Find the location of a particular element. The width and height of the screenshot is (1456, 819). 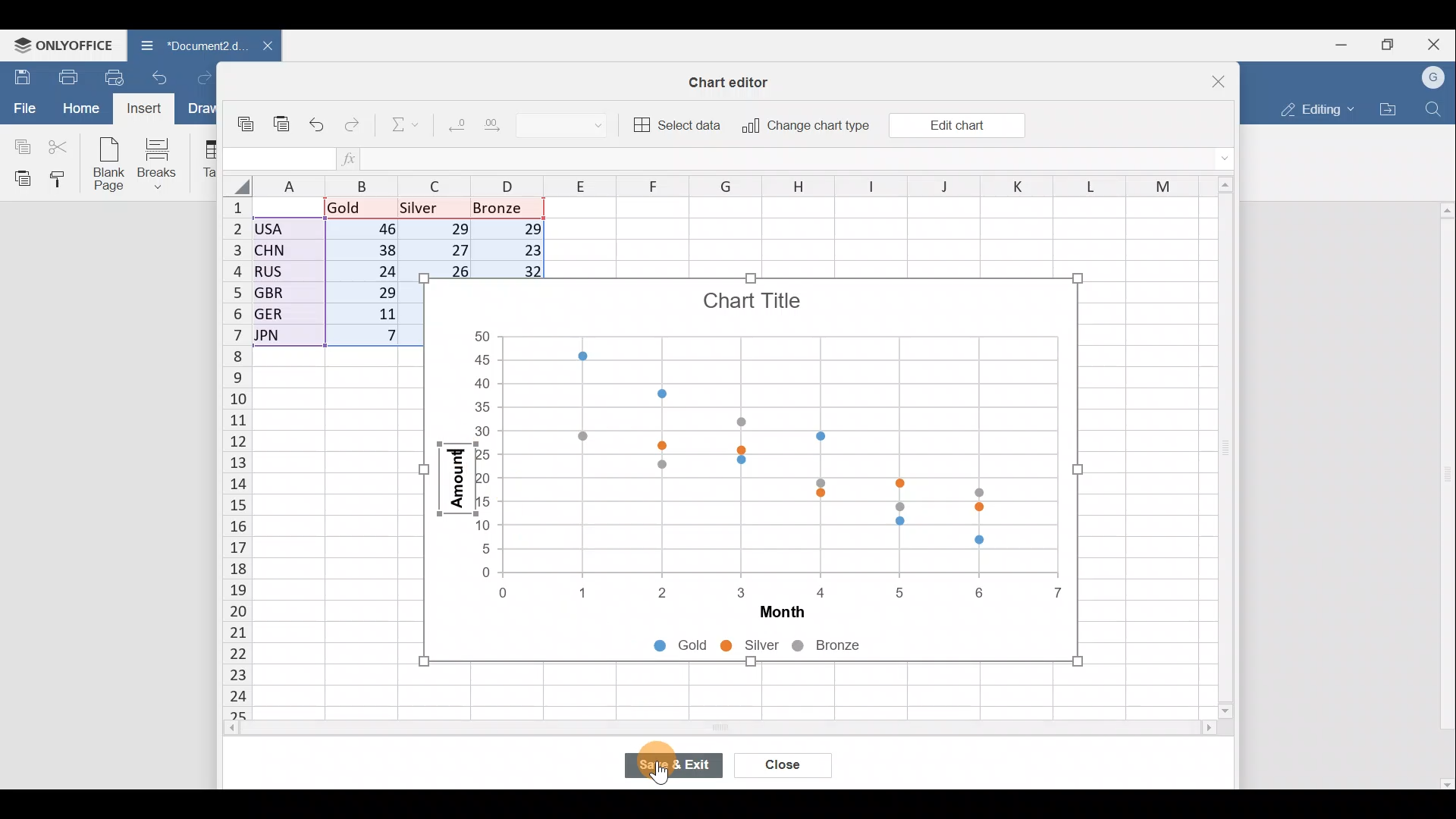

Decrease decimal is located at coordinates (453, 128).